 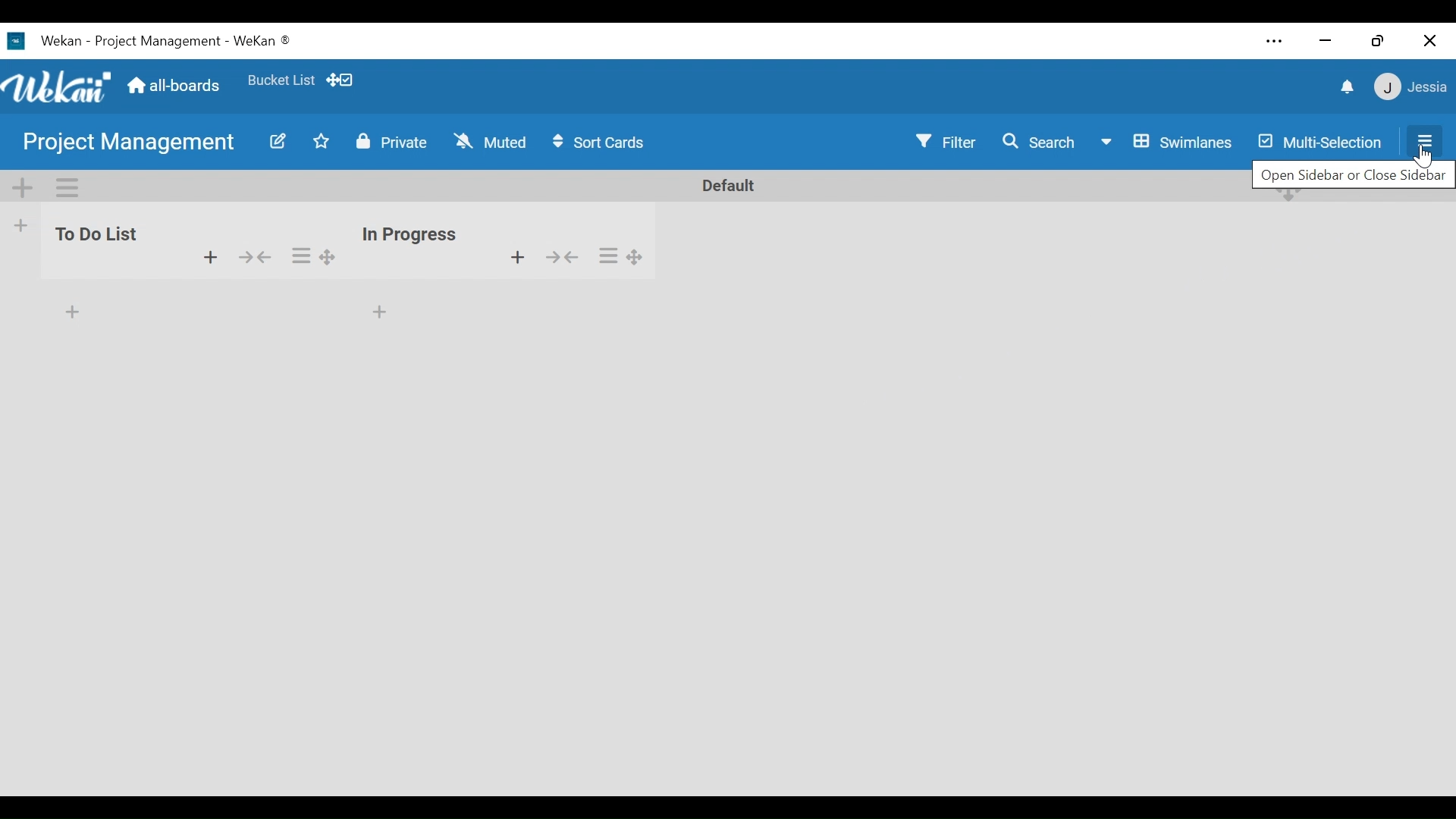 What do you see at coordinates (1432, 40) in the screenshot?
I see `Close` at bounding box center [1432, 40].